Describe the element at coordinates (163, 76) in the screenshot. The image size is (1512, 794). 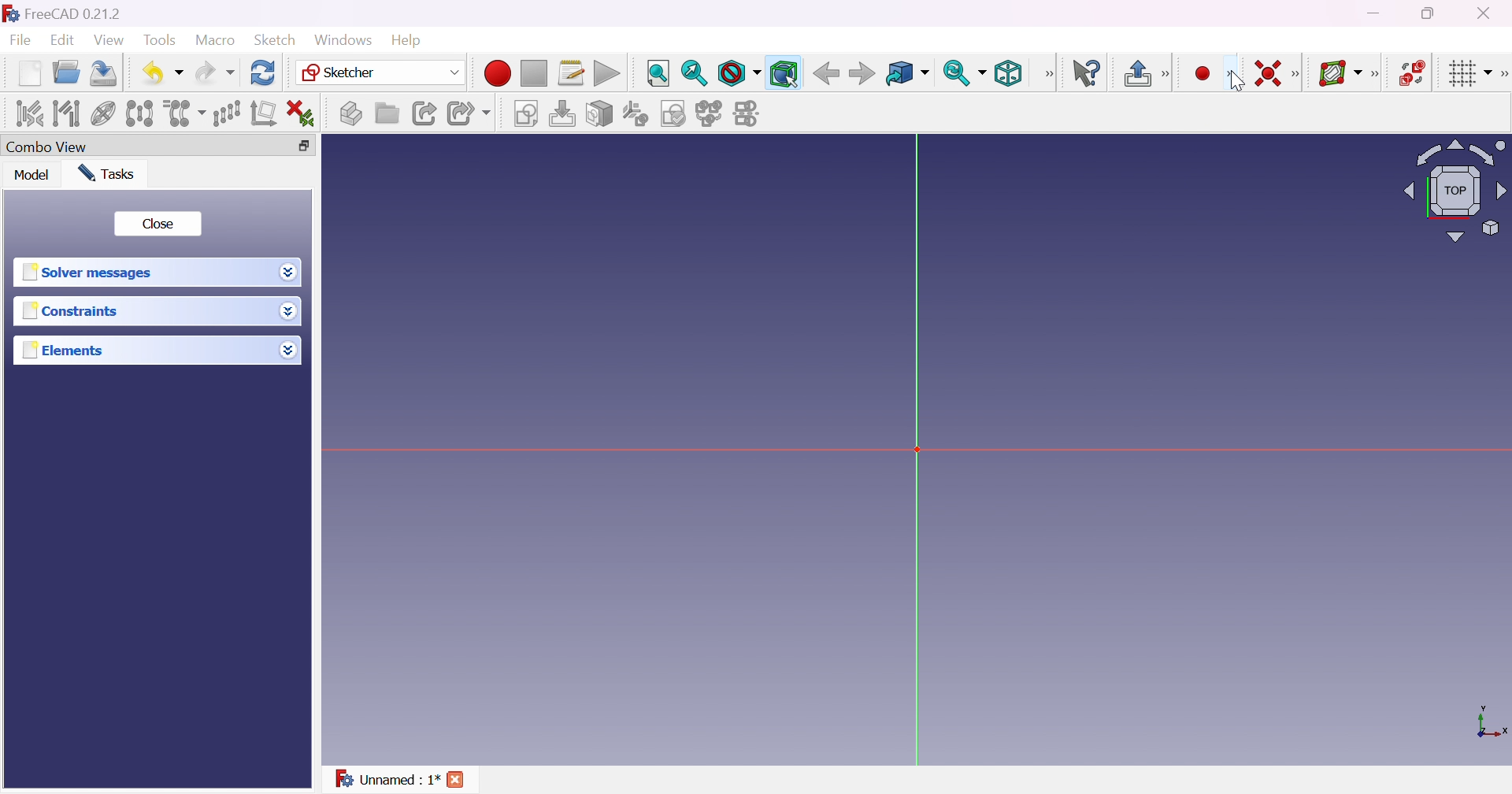
I see `Undo` at that location.